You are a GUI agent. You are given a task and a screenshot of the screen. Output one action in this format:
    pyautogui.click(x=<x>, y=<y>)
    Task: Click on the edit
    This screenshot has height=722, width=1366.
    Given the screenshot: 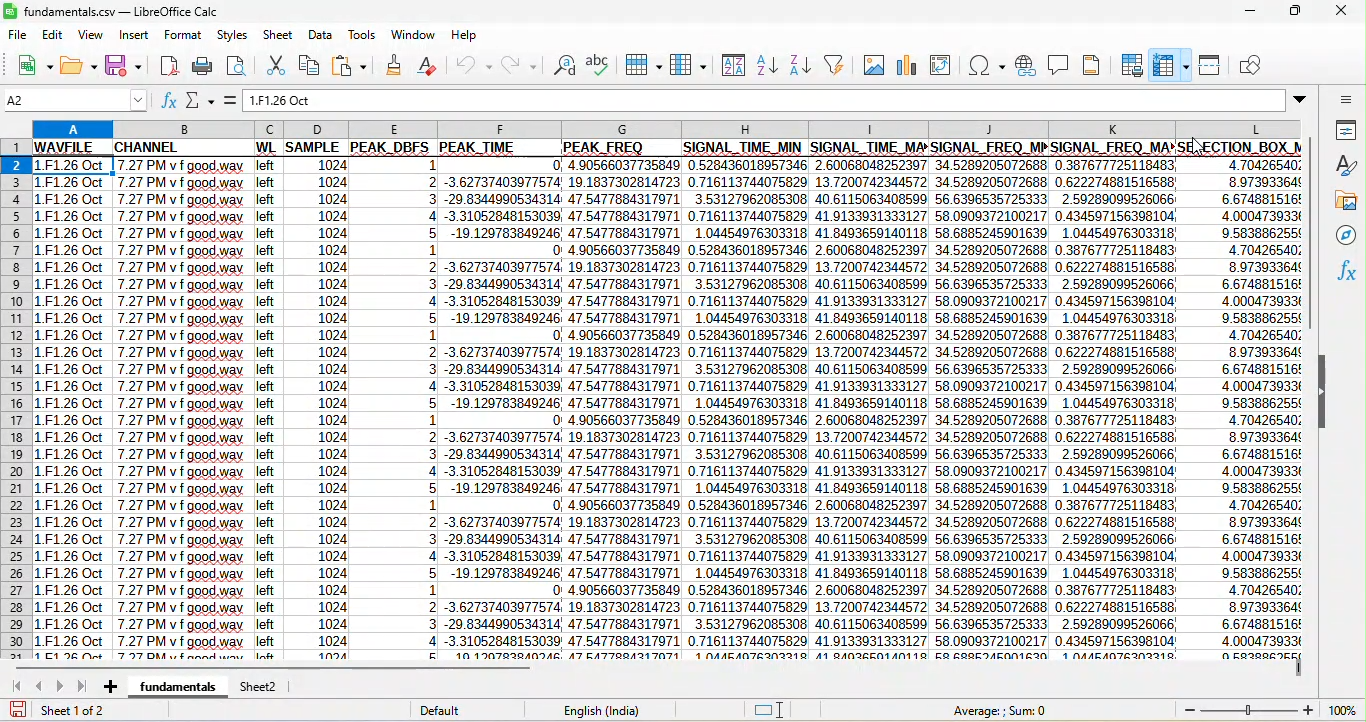 What is the action you would take?
    pyautogui.click(x=56, y=36)
    